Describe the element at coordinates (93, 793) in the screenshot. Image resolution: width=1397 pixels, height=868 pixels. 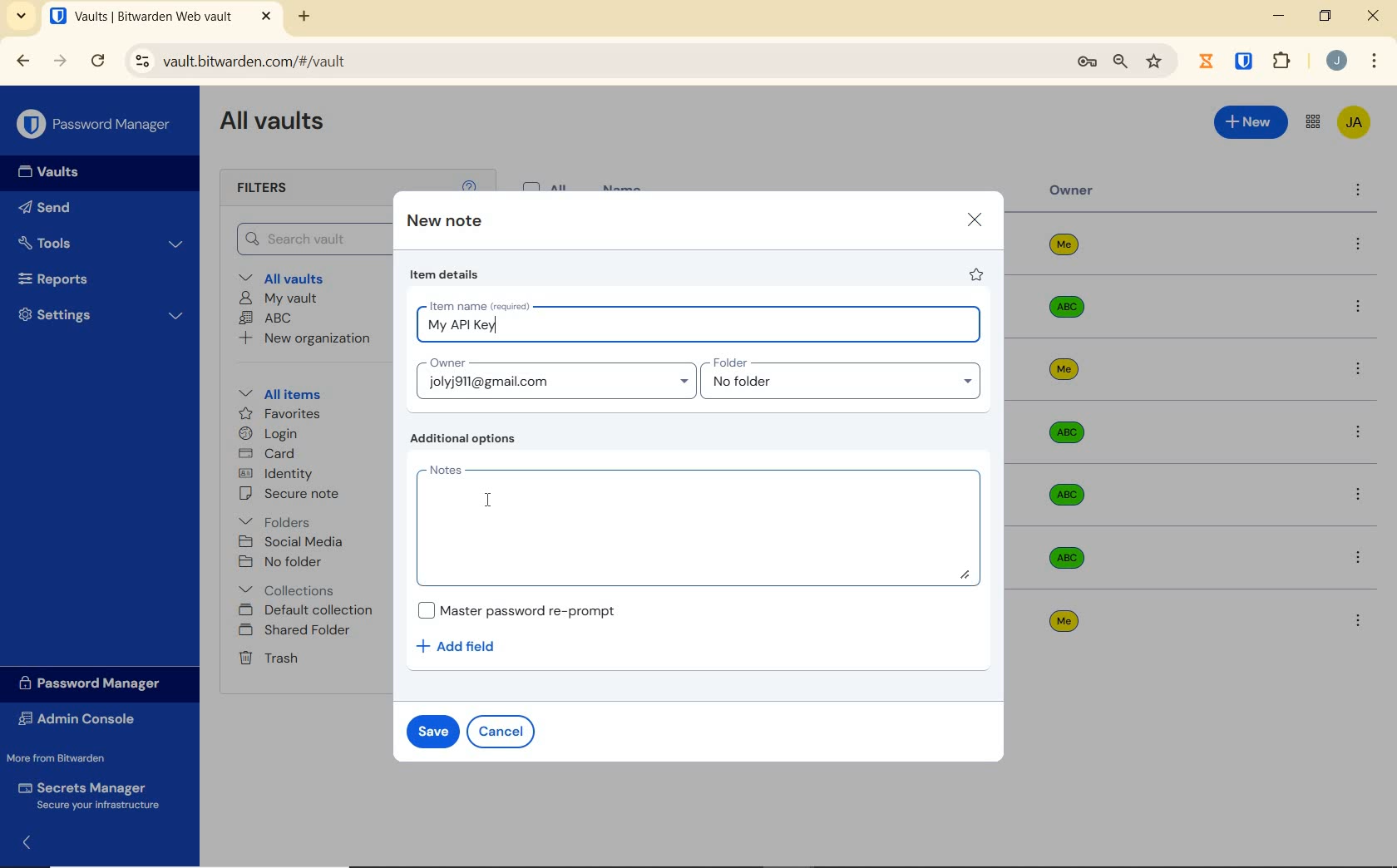
I see `Secrets Manager` at that location.